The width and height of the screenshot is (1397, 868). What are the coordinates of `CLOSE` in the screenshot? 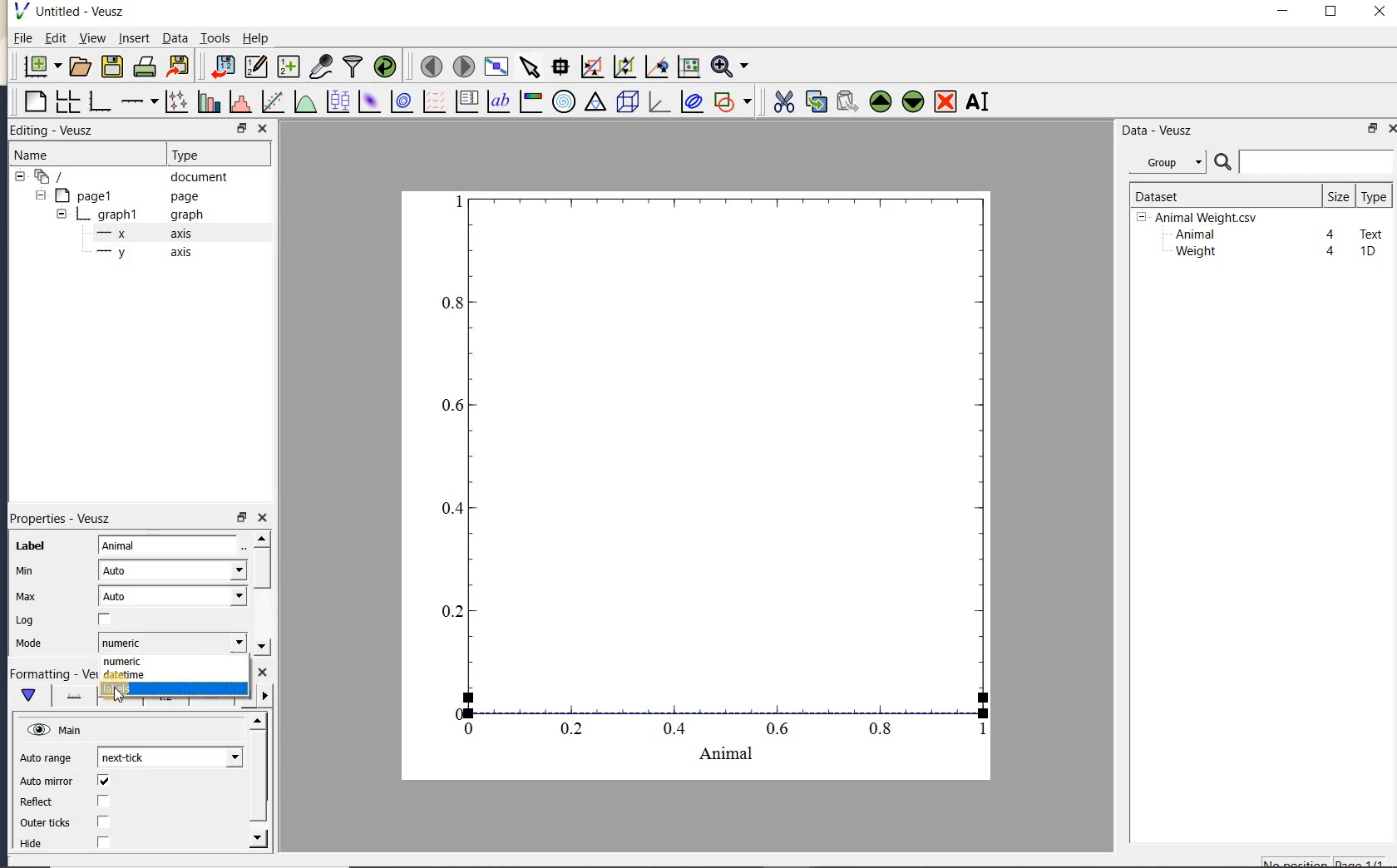 It's located at (262, 128).